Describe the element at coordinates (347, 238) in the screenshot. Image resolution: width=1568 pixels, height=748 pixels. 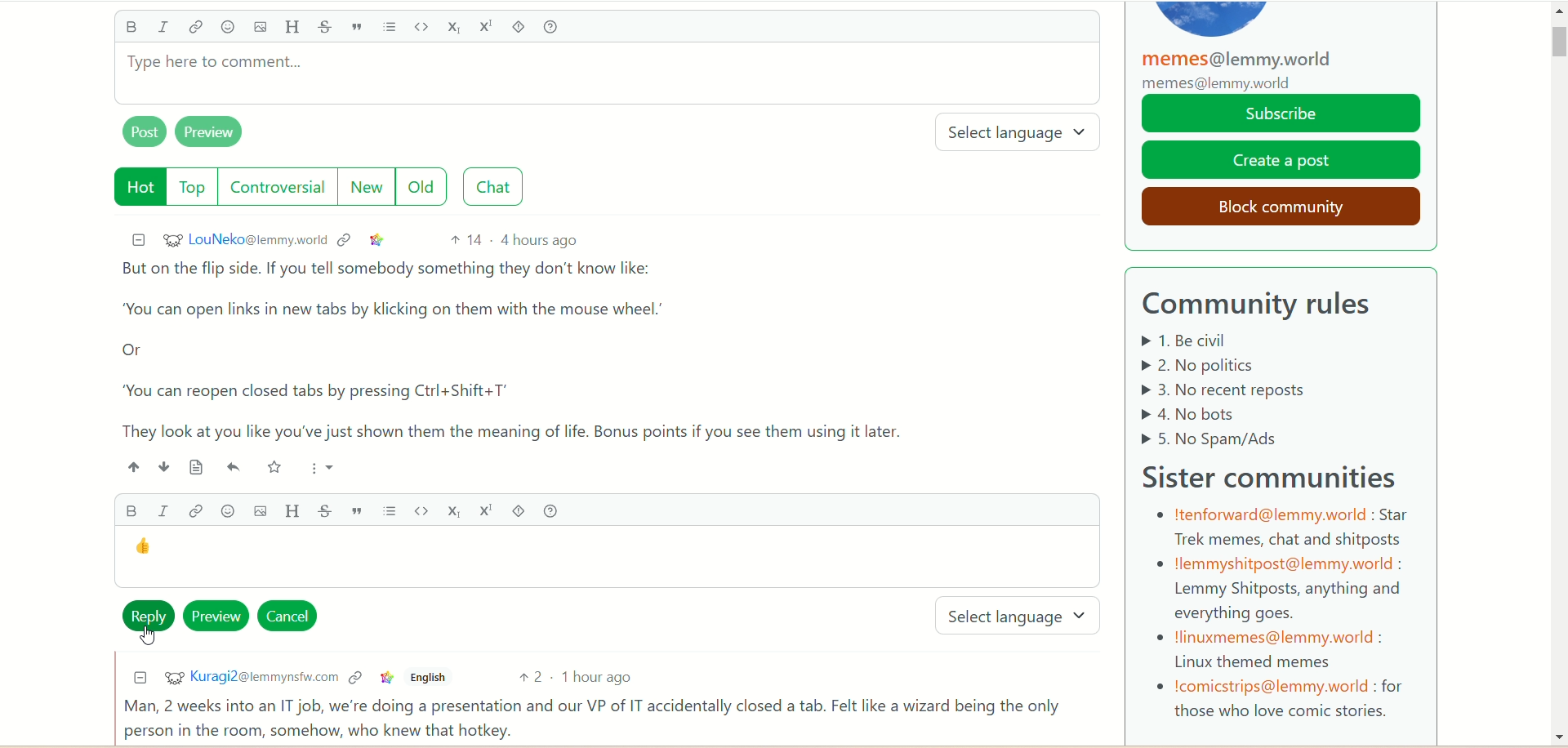
I see `context` at that location.